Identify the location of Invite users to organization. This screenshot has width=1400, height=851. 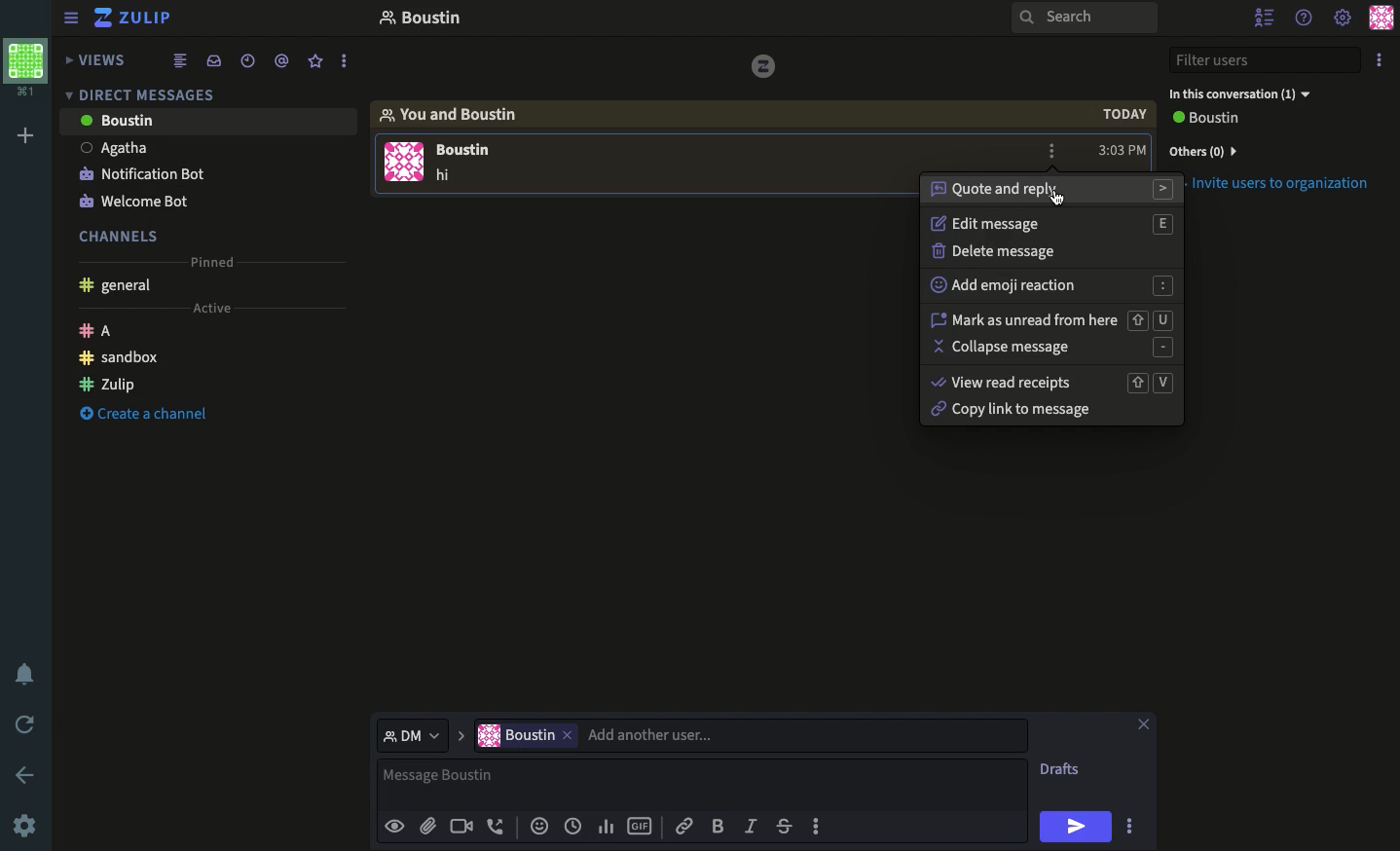
(1278, 185).